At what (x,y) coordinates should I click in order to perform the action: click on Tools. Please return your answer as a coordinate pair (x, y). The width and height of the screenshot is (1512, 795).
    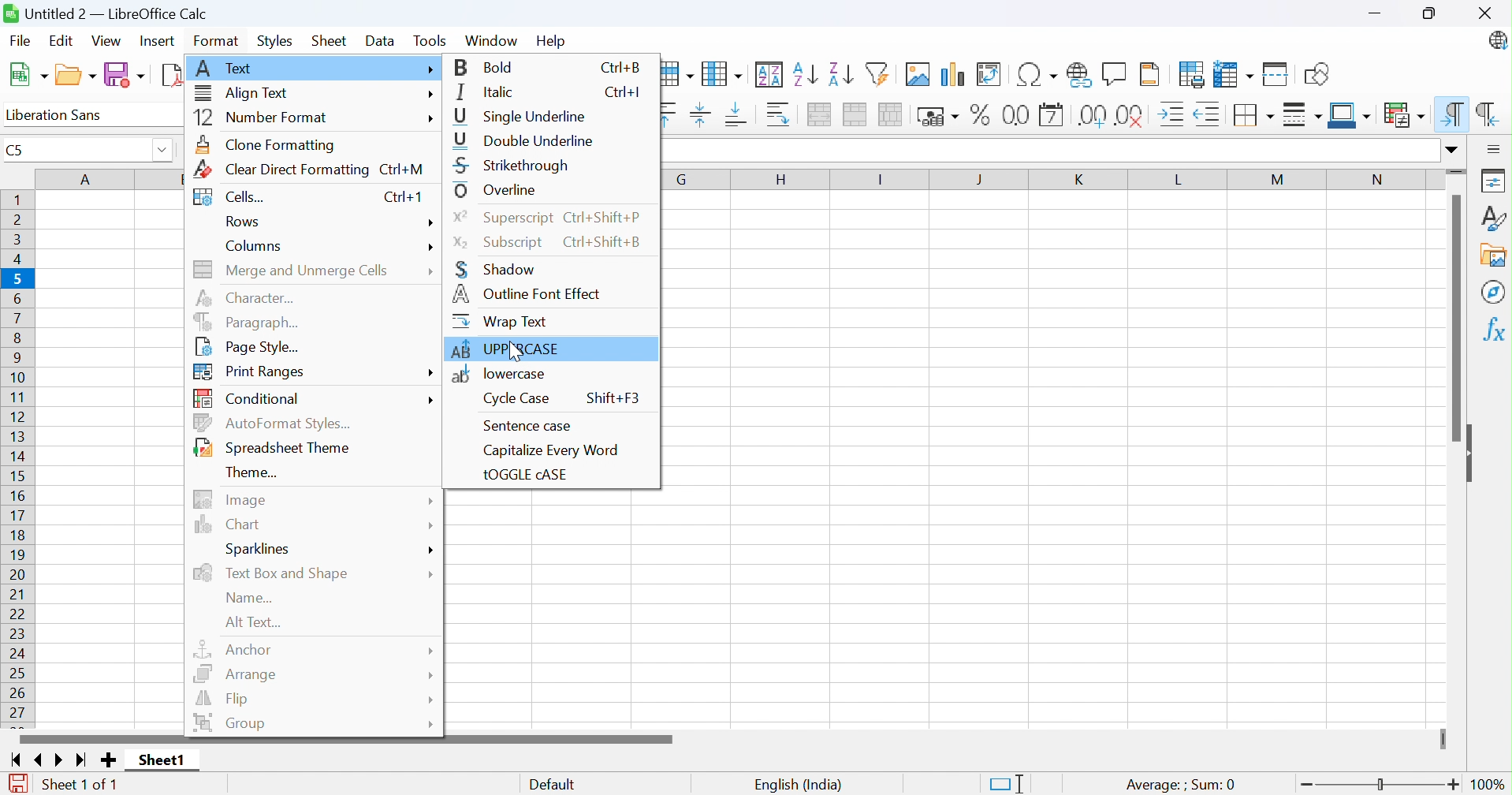
    Looking at the image, I should click on (430, 40).